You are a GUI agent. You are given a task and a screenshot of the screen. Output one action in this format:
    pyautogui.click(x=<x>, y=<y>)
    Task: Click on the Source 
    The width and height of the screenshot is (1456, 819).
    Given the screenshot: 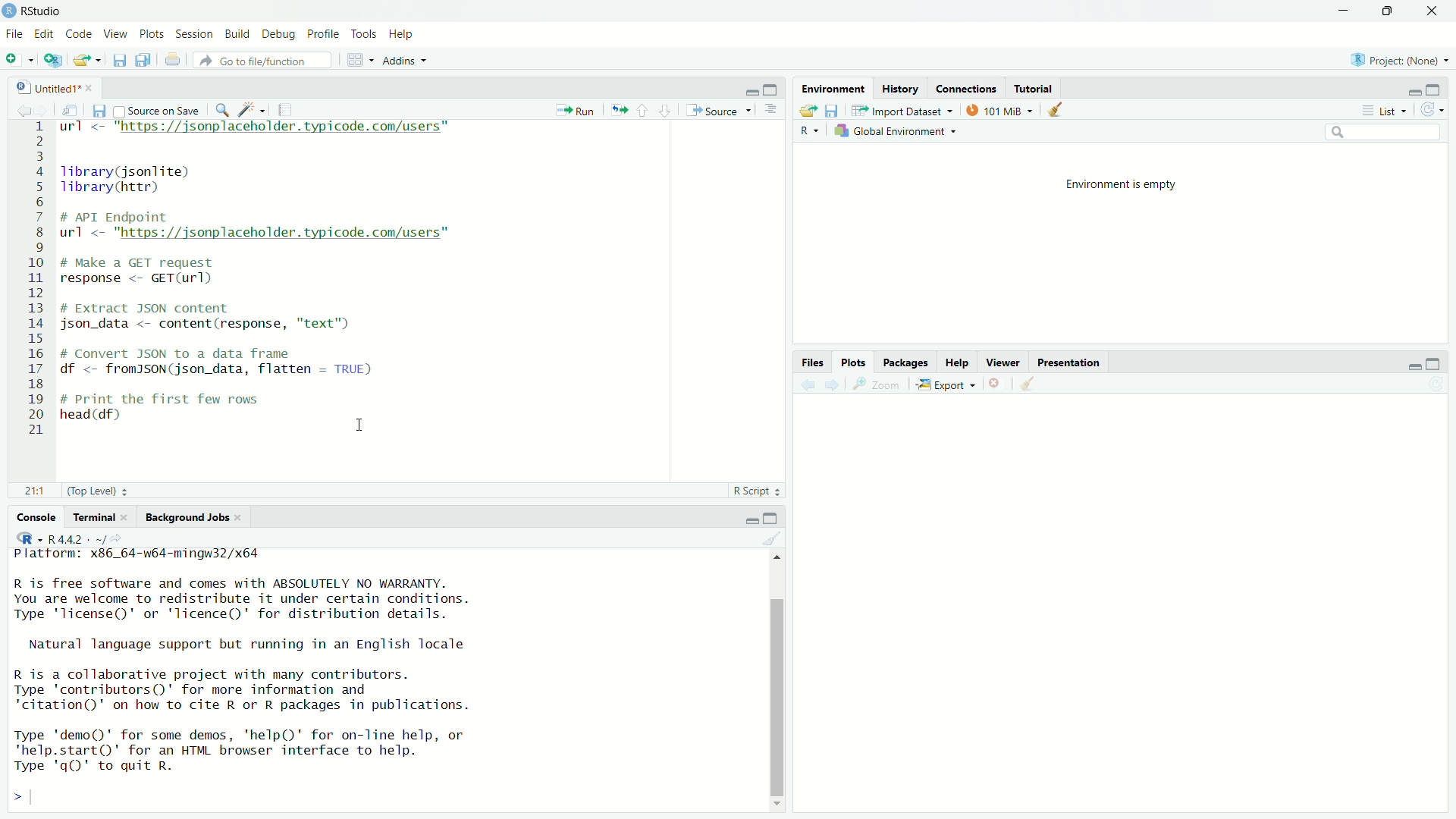 What is the action you would take?
    pyautogui.click(x=719, y=111)
    